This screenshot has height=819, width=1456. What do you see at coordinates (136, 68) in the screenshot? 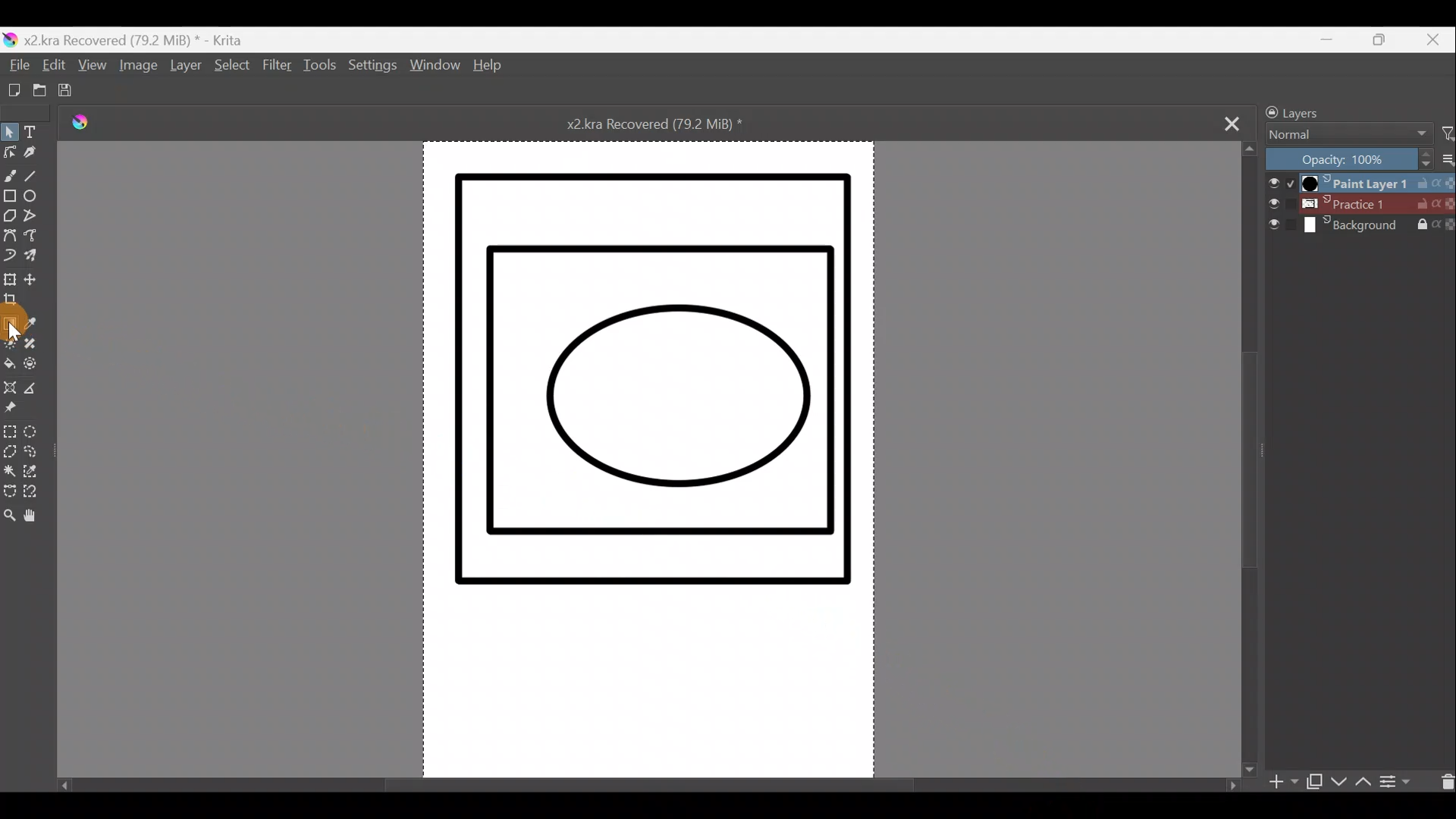
I see `Image` at bounding box center [136, 68].